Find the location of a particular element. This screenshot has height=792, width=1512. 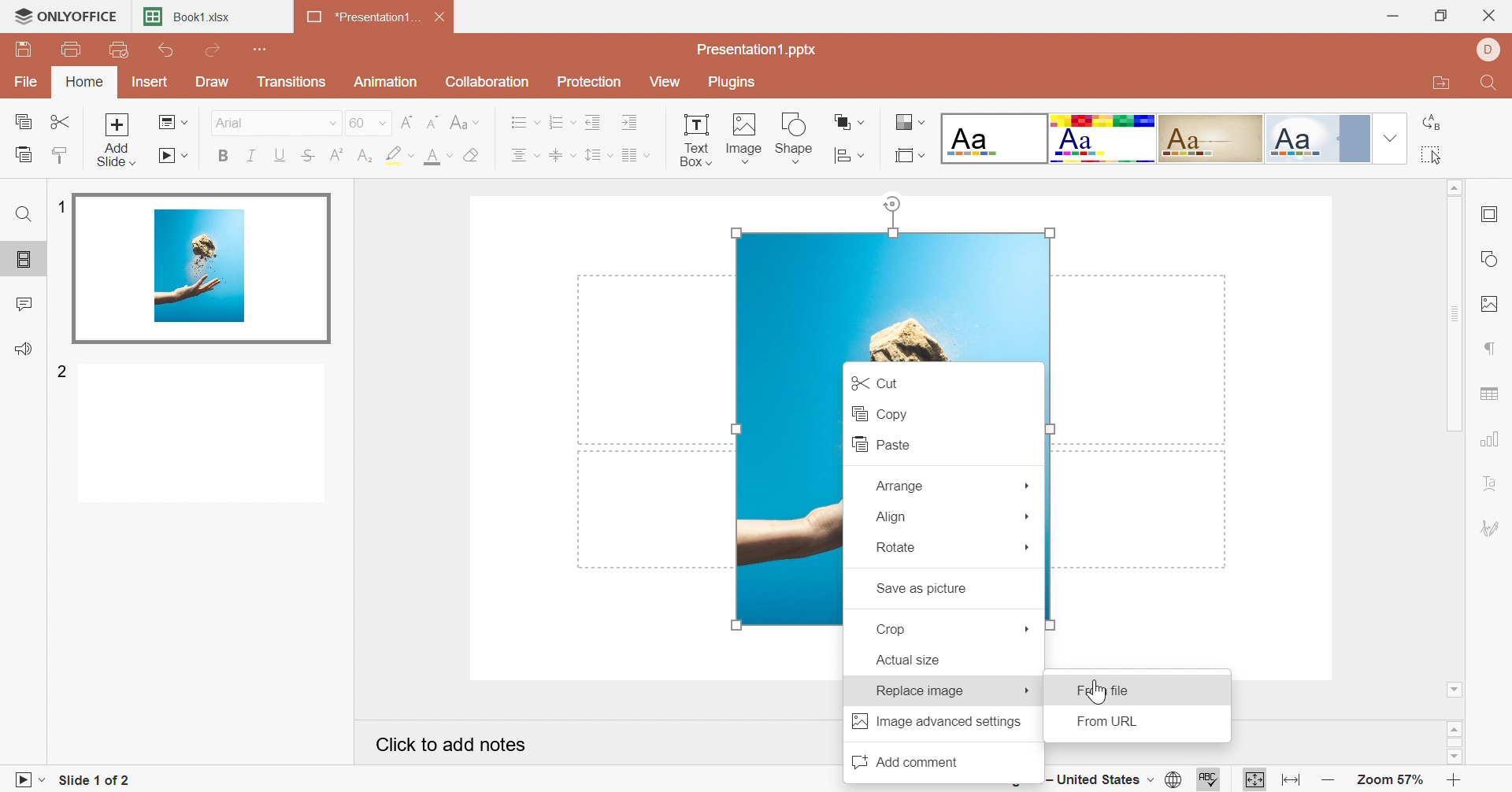

Print Preview is located at coordinates (118, 50).